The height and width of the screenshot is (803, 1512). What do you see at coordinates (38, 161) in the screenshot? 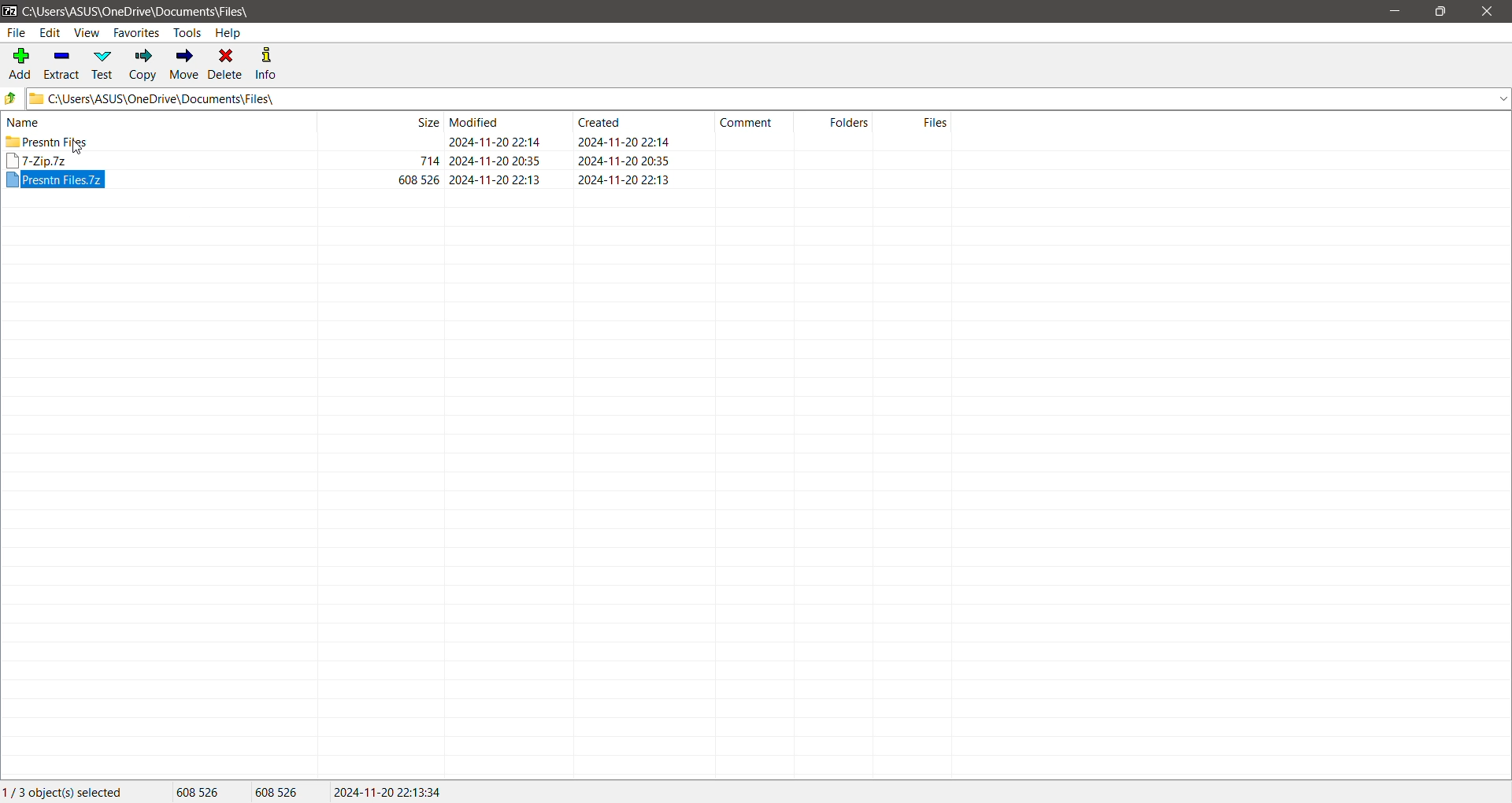
I see `file` at bounding box center [38, 161].